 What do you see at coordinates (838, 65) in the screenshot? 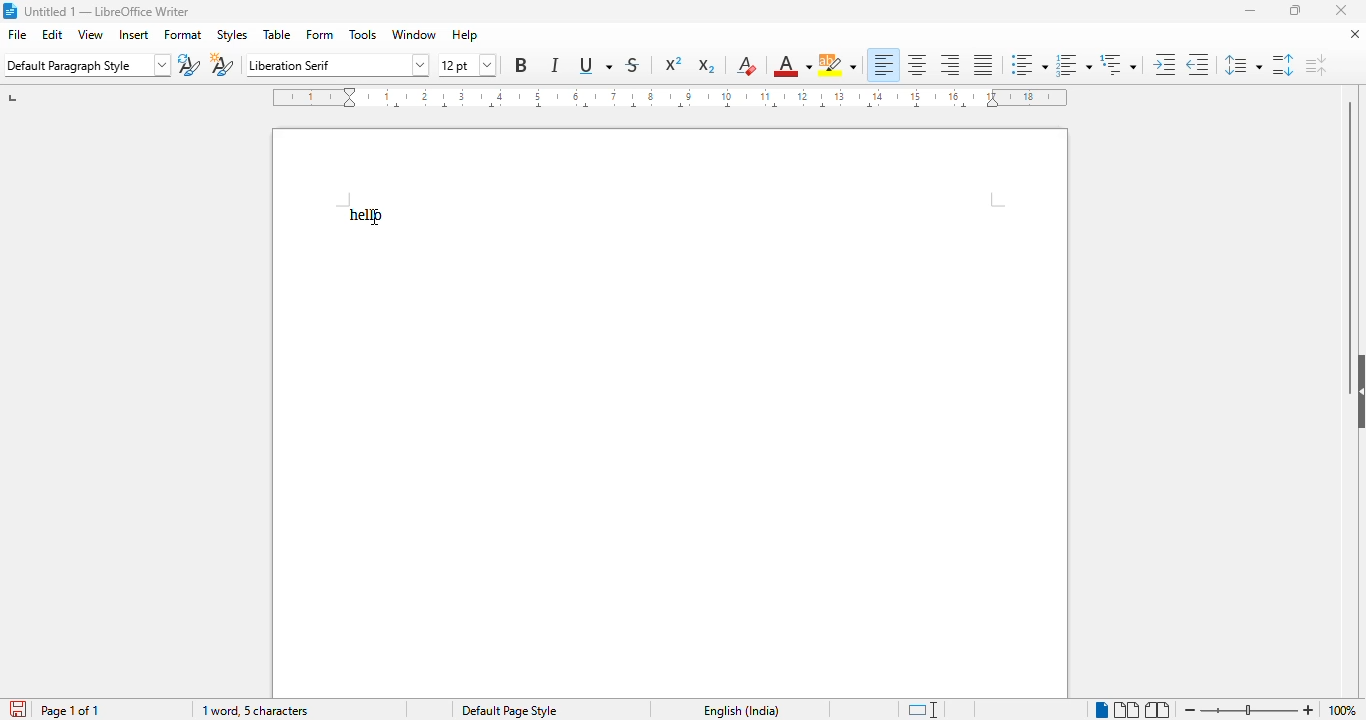
I see `character highlighting color` at bounding box center [838, 65].